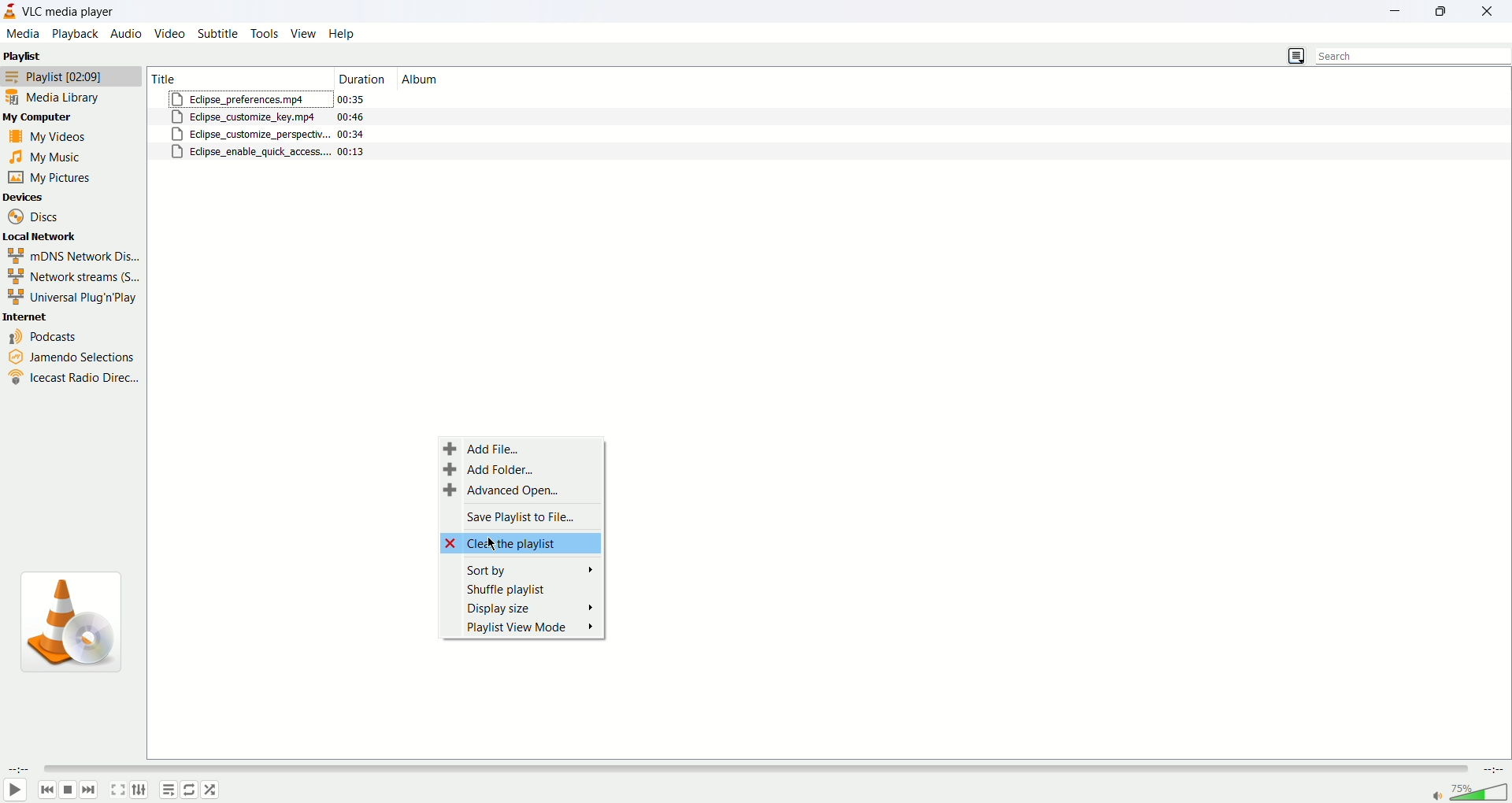 The width and height of the screenshot is (1512, 803). Describe the element at coordinates (355, 126) in the screenshot. I see `duration` at that location.